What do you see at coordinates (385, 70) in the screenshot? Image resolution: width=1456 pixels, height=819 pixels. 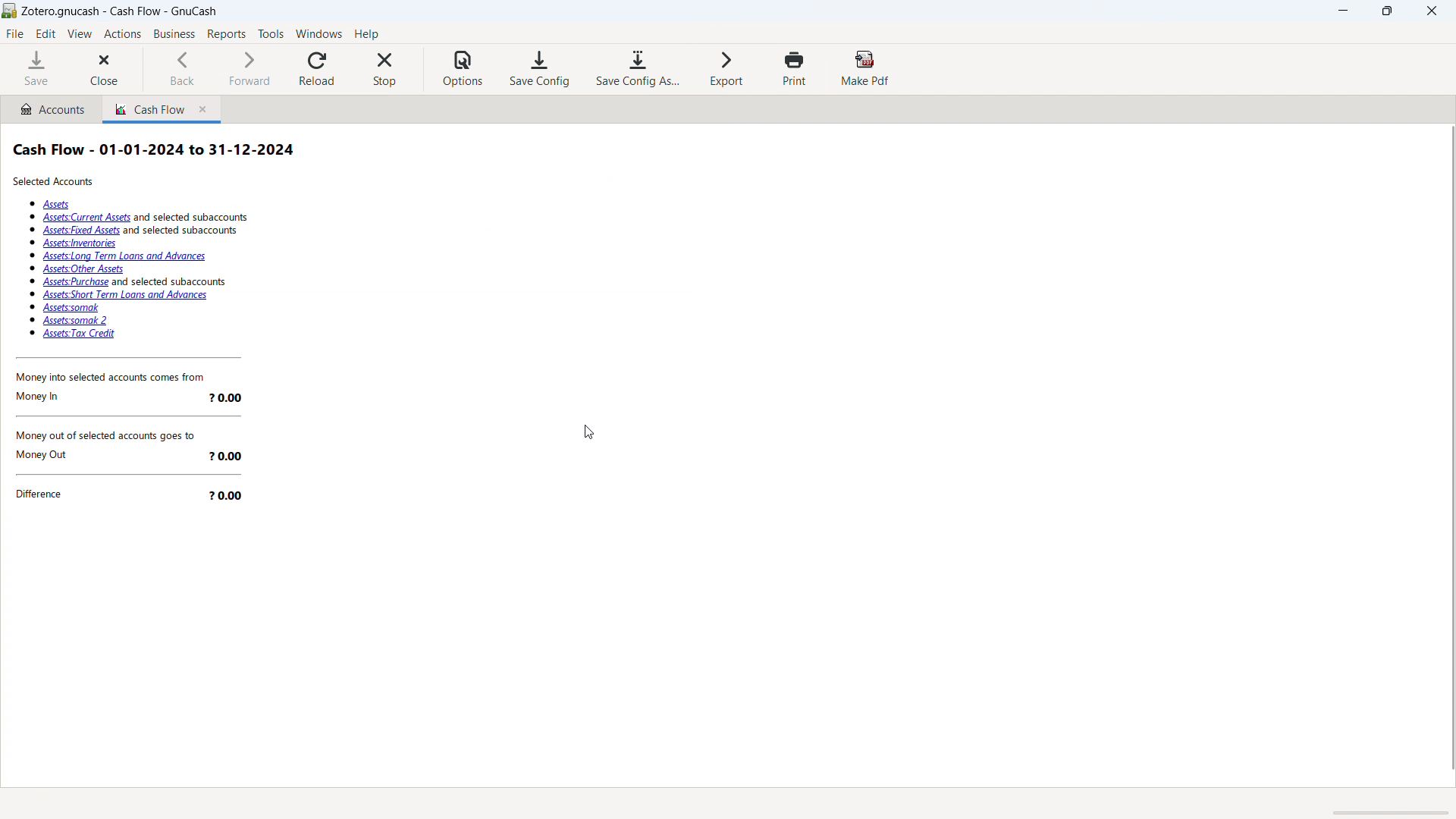 I see `stop` at bounding box center [385, 70].